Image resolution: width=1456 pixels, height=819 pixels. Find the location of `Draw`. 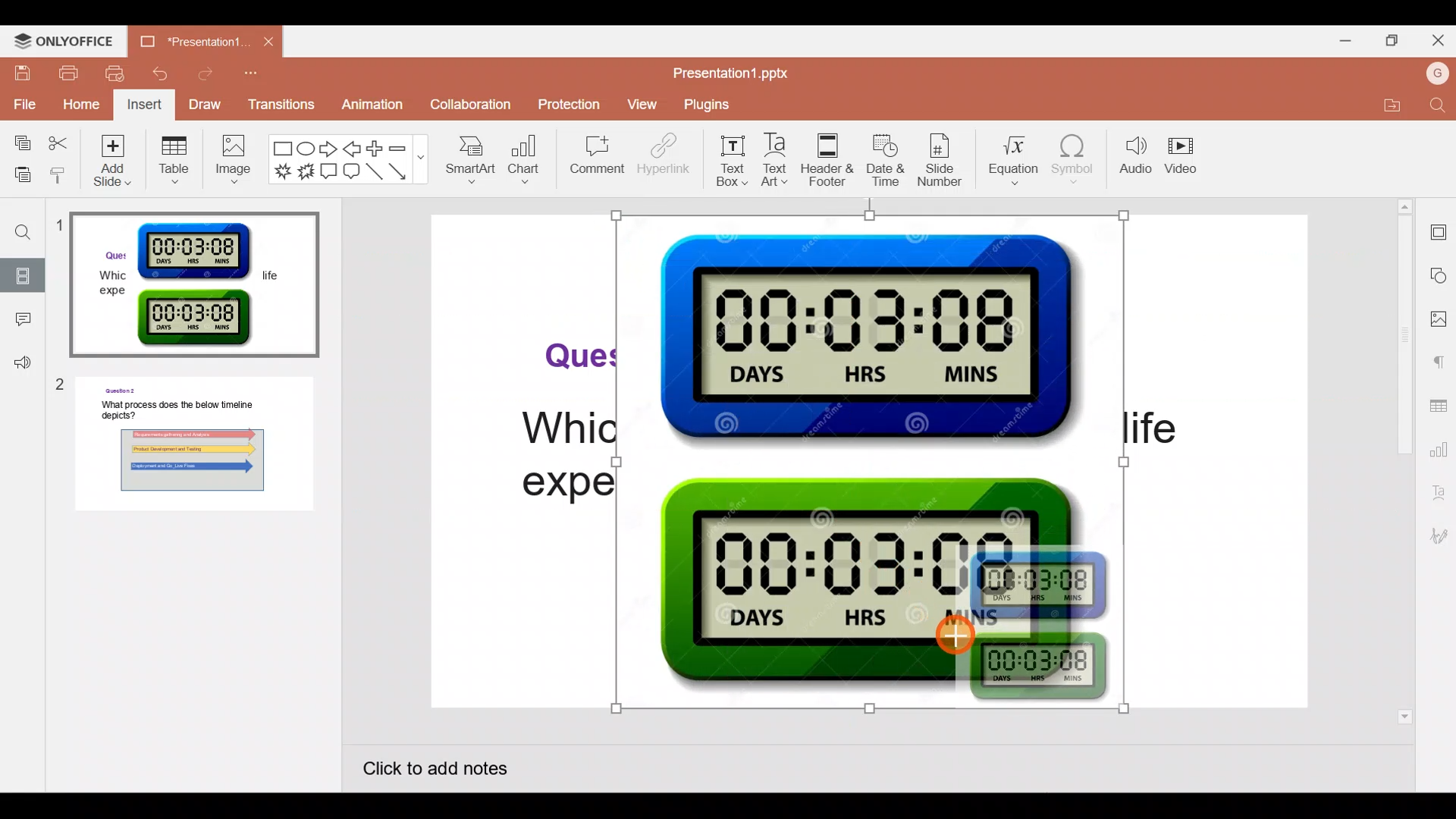

Draw is located at coordinates (209, 104).